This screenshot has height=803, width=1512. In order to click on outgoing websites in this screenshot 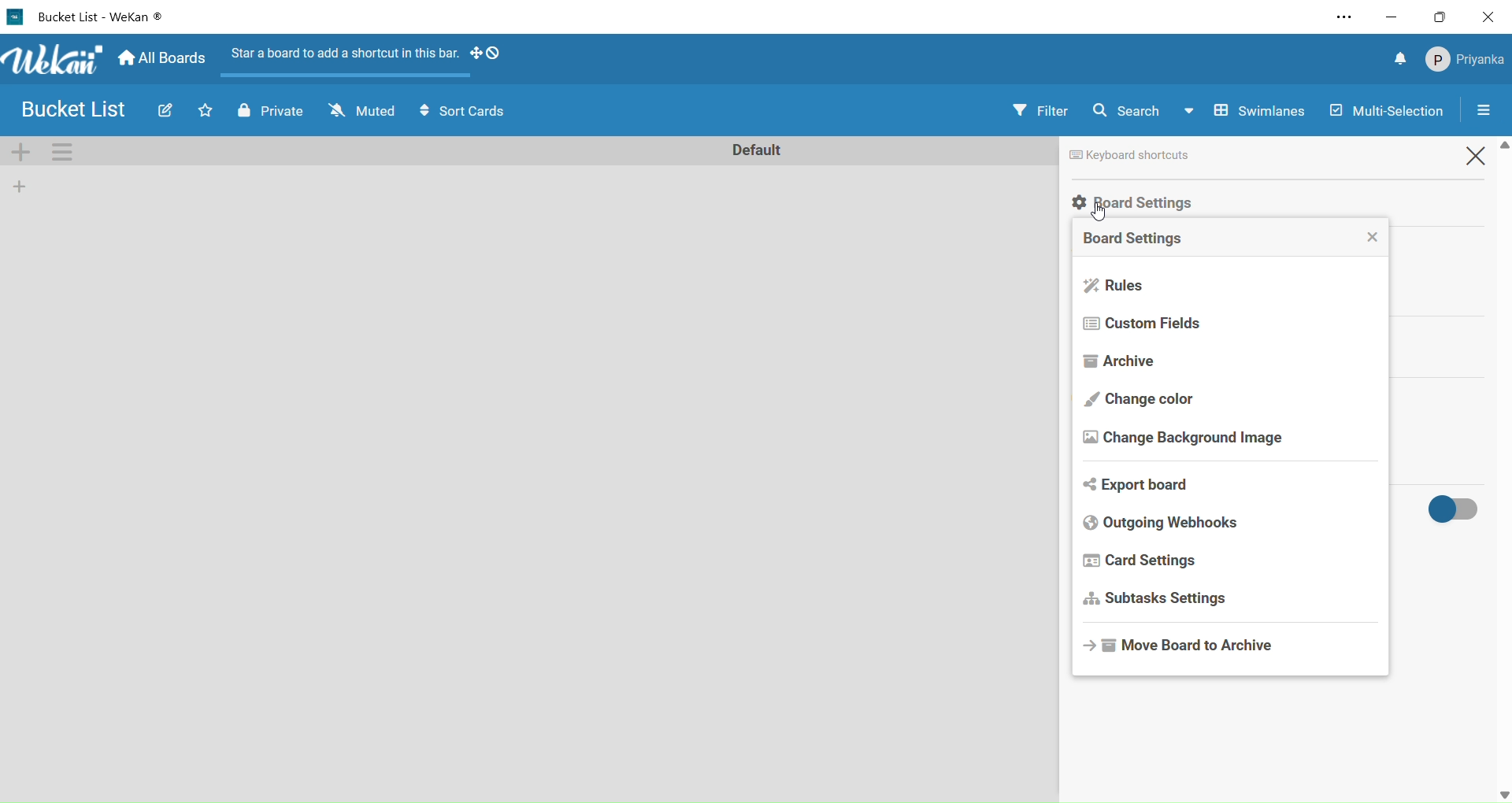, I will do `click(1232, 524)`.